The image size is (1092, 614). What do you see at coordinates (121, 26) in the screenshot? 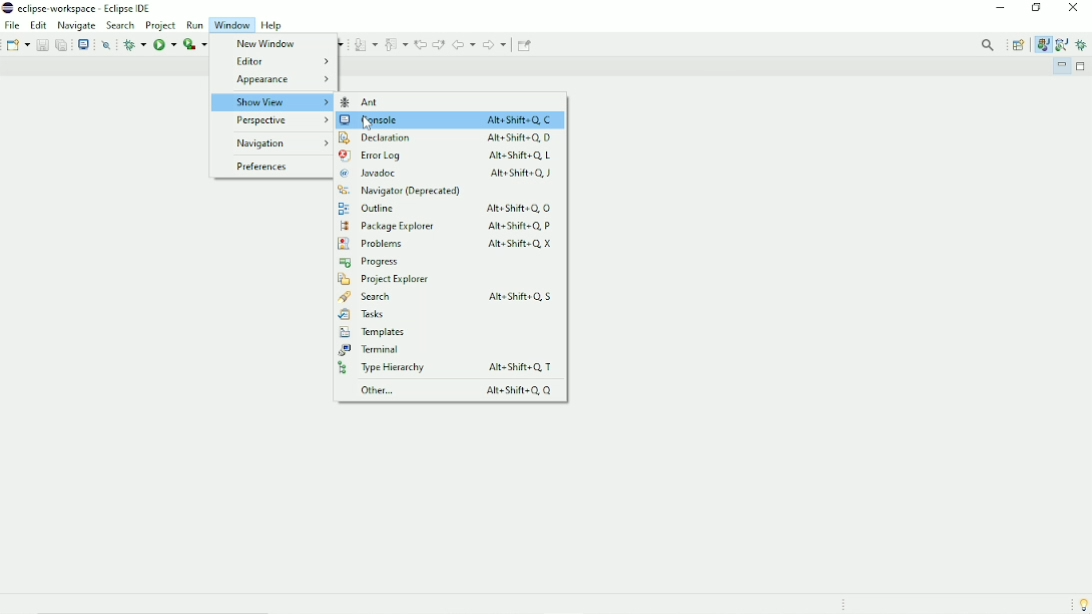
I see `Search` at bounding box center [121, 26].